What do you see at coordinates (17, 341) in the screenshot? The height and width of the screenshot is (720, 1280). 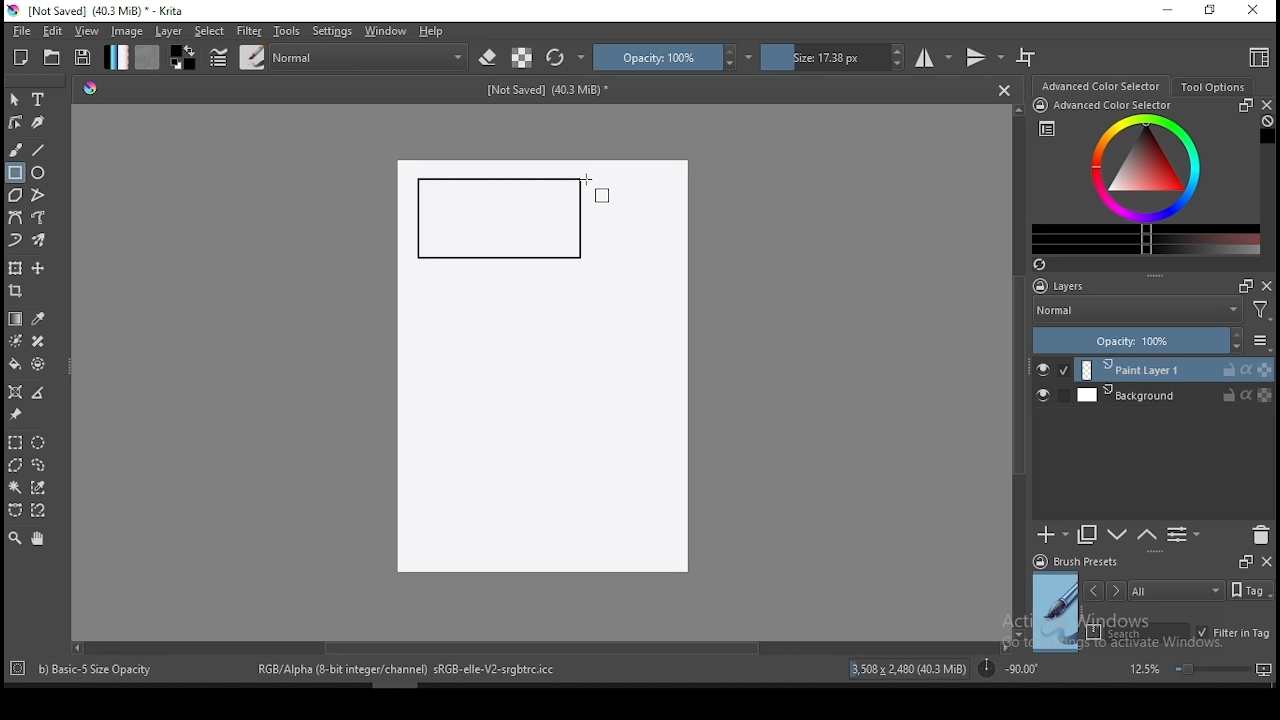 I see `colorize mask tool` at bounding box center [17, 341].